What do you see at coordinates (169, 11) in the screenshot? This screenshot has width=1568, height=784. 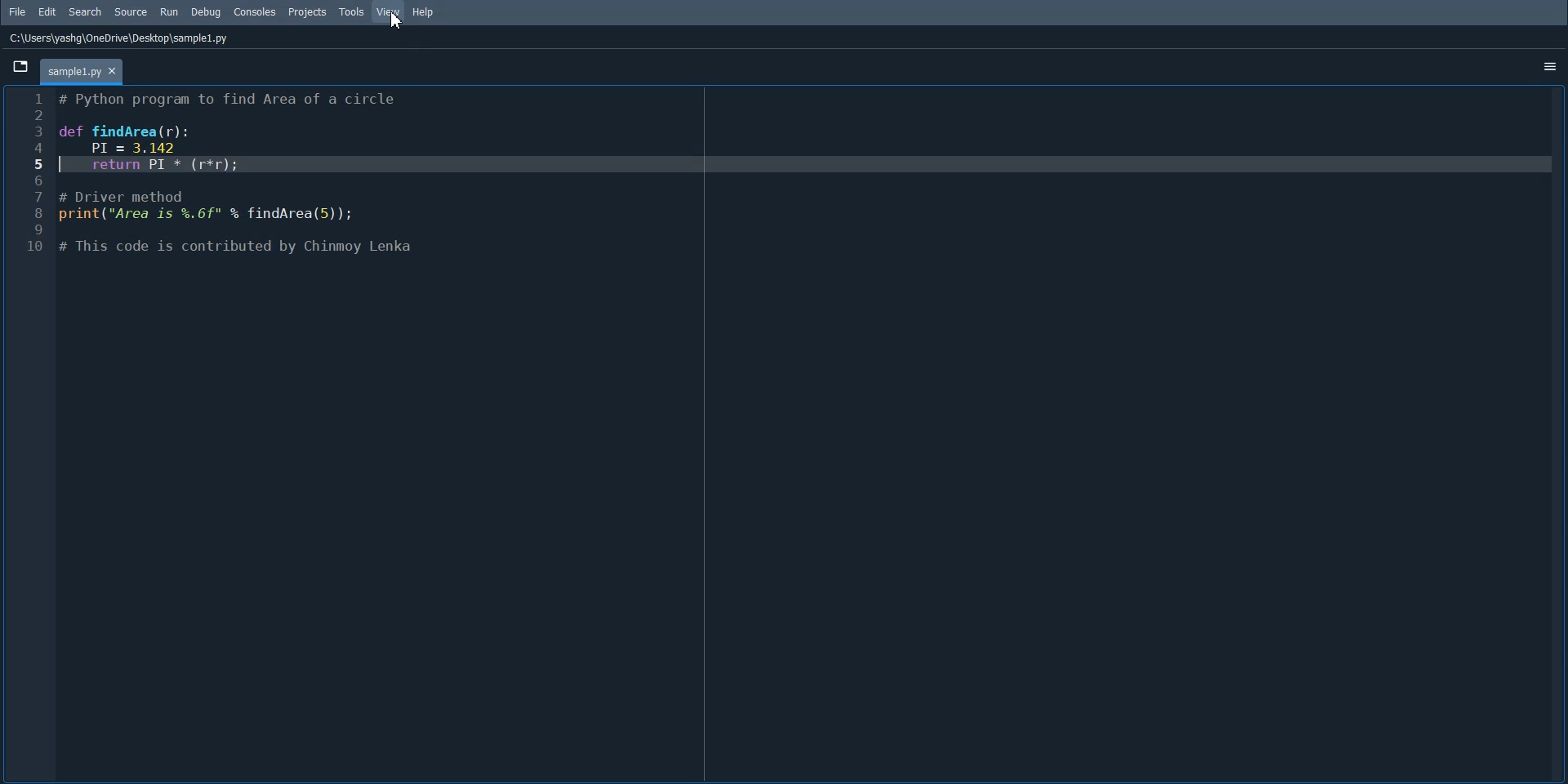 I see `Run` at bounding box center [169, 11].